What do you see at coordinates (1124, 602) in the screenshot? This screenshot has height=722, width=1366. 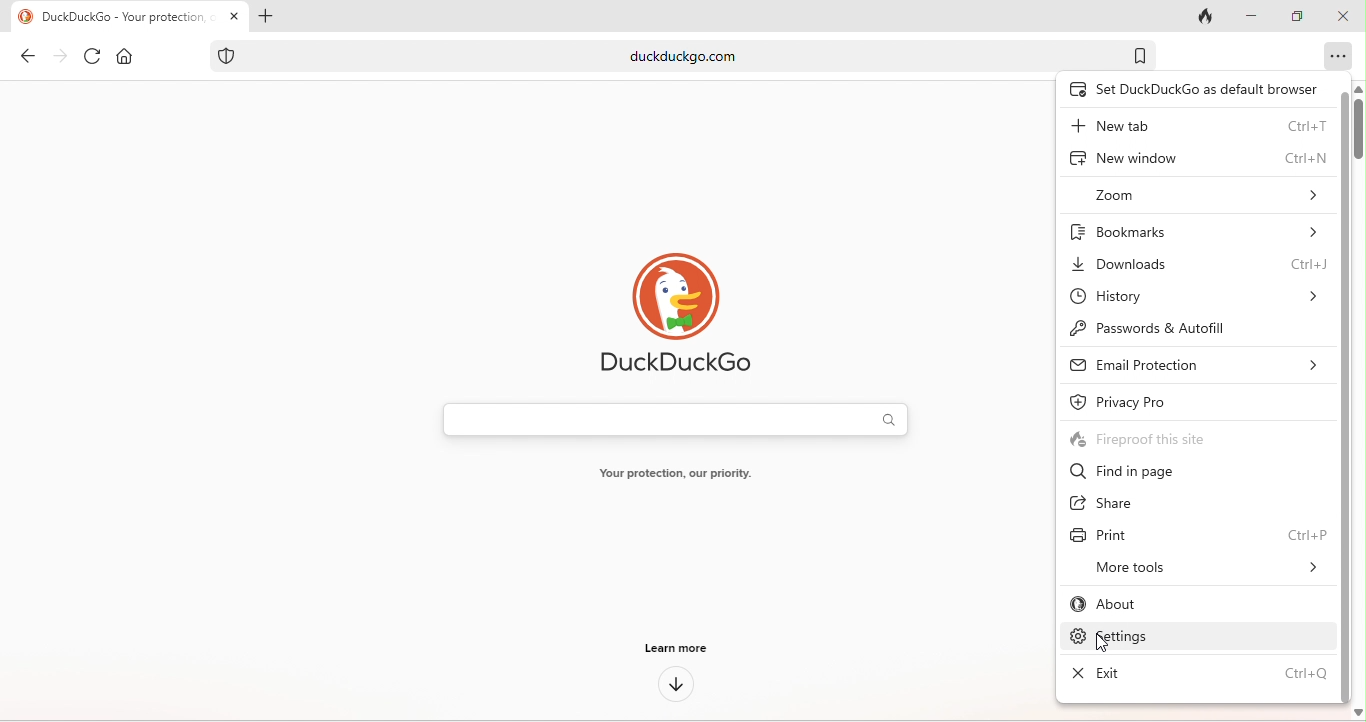 I see `about` at bounding box center [1124, 602].